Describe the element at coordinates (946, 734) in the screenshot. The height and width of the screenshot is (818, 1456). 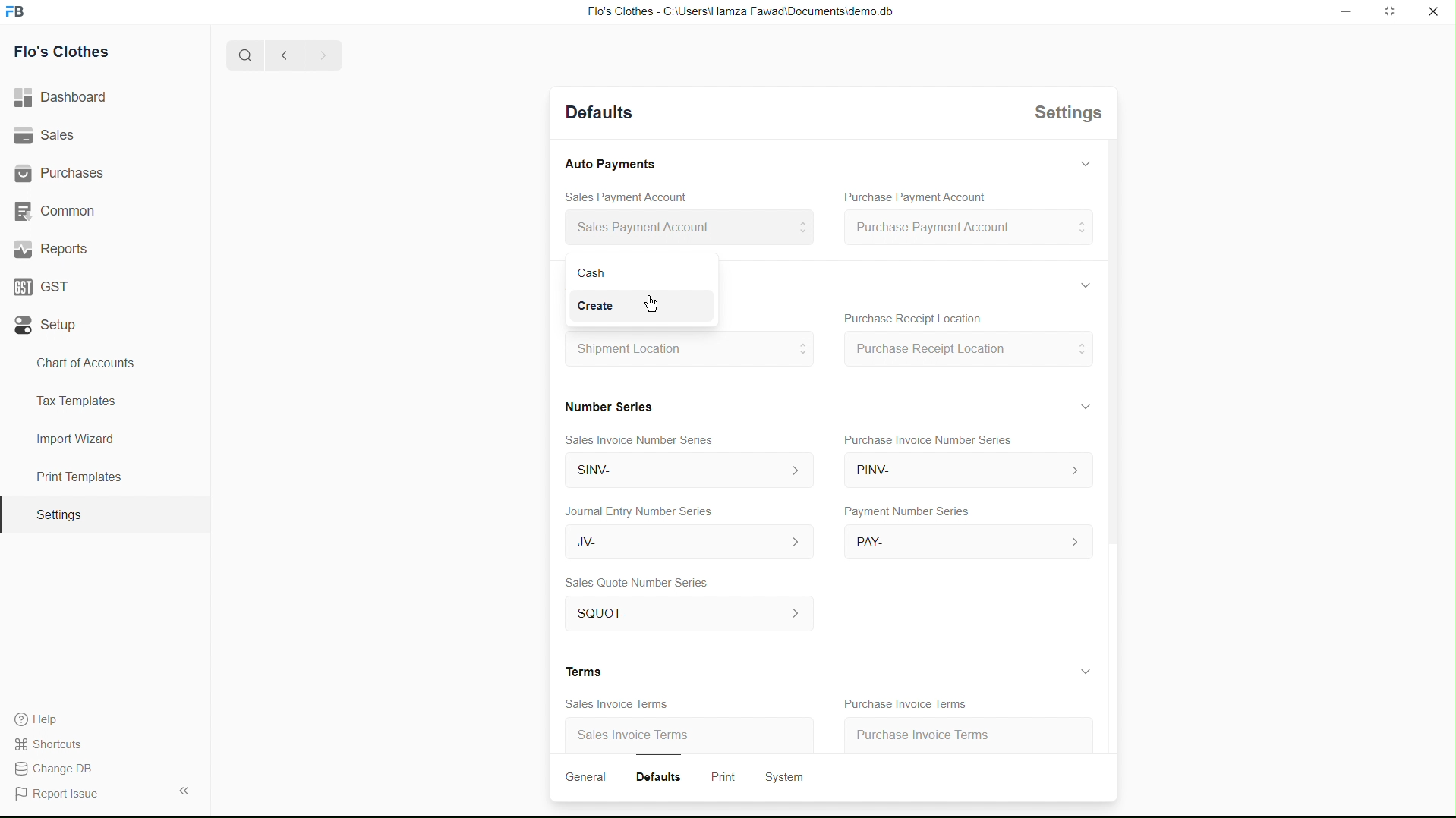
I see `Purchase Invoice Terms` at that location.